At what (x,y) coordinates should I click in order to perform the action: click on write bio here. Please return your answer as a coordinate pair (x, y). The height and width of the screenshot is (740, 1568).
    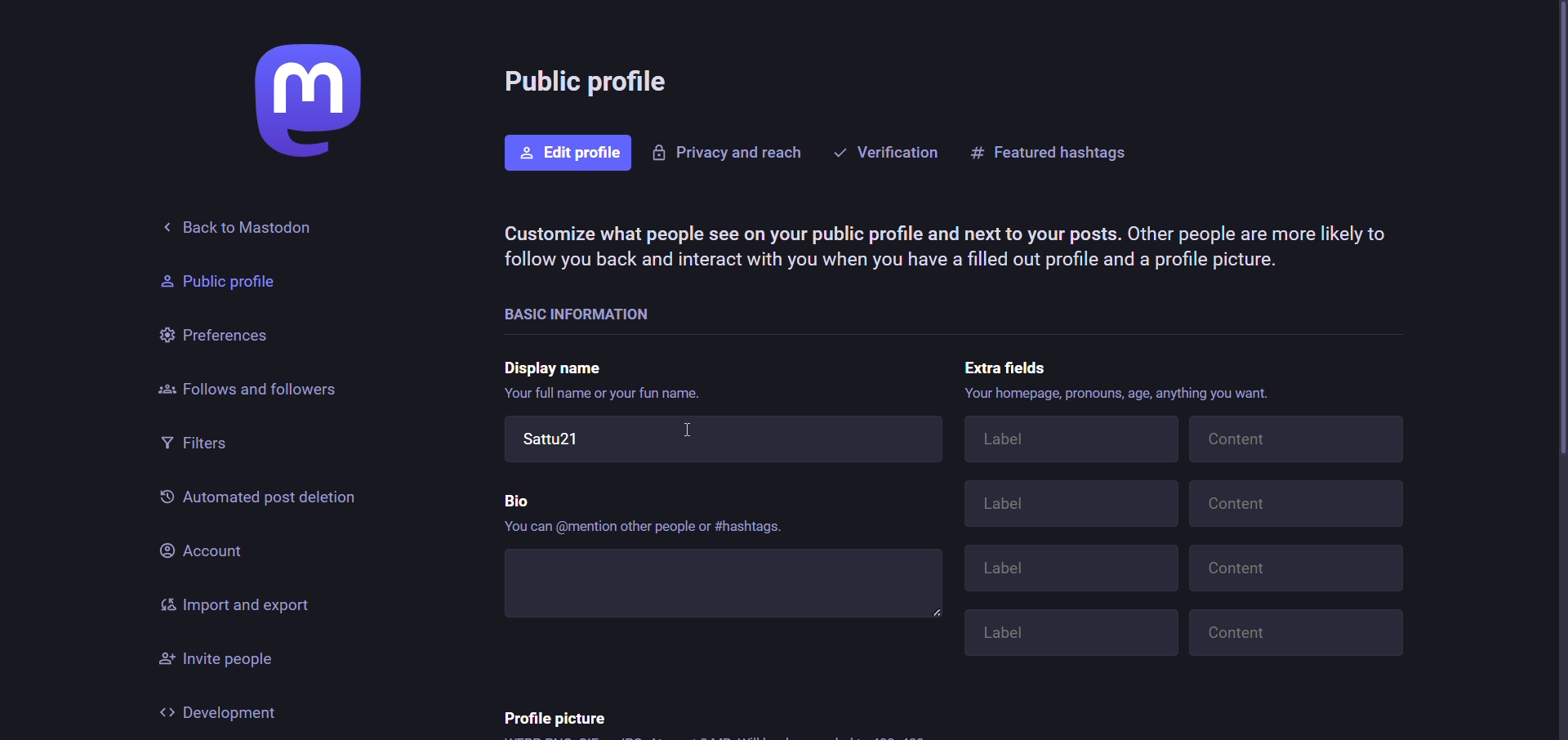
    Looking at the image, I should click on (725, 586).